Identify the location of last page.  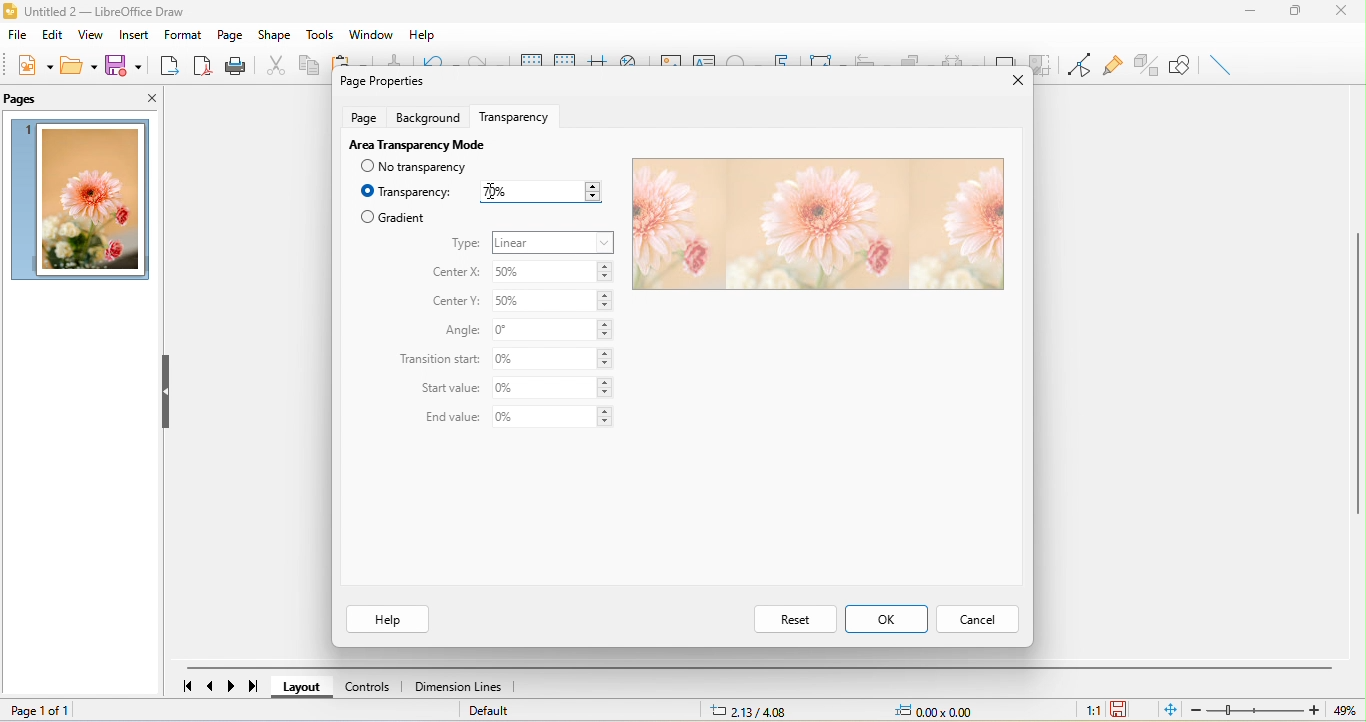
(249, 686).